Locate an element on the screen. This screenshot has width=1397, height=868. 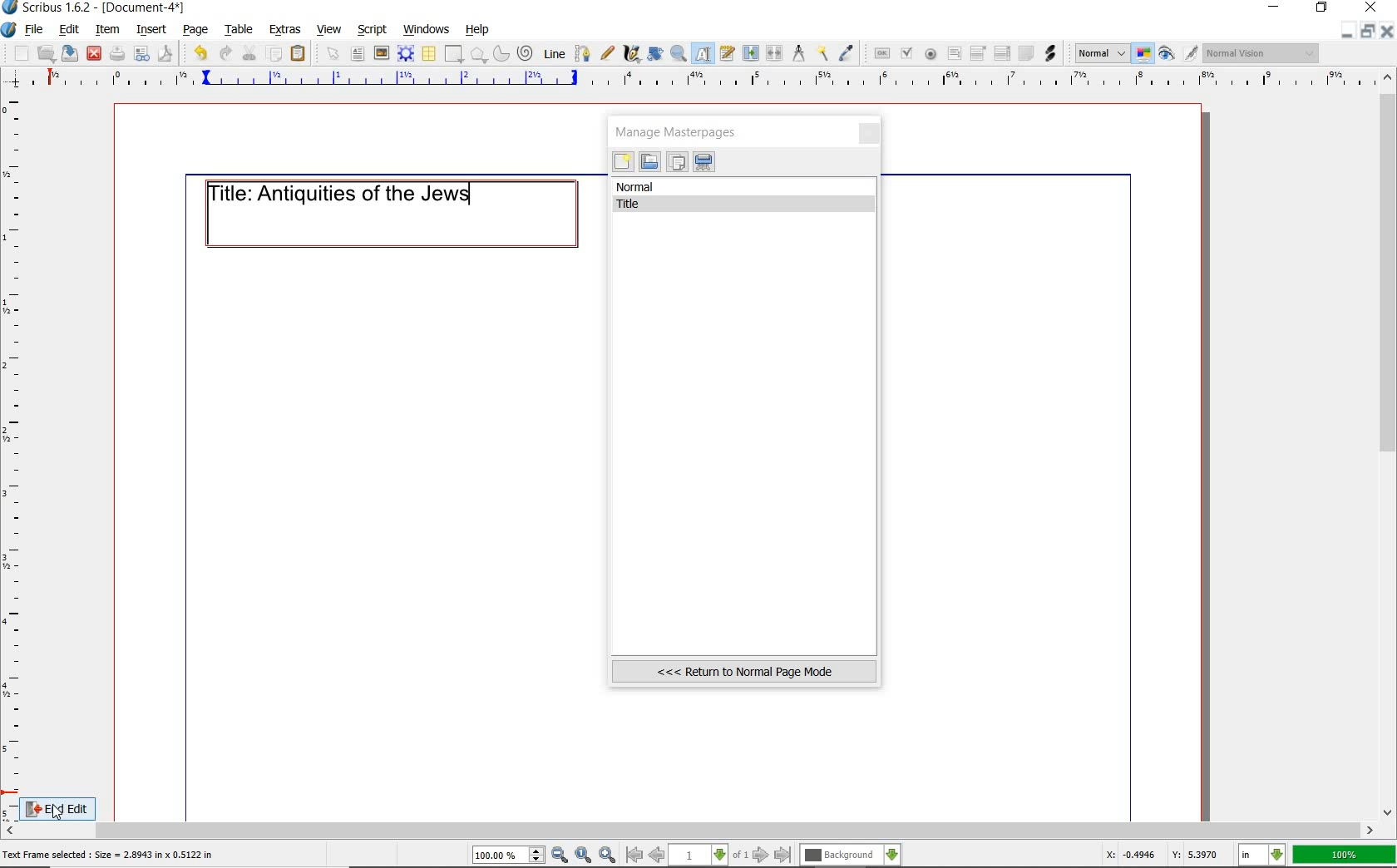
view is located at coordinates (332, 30).